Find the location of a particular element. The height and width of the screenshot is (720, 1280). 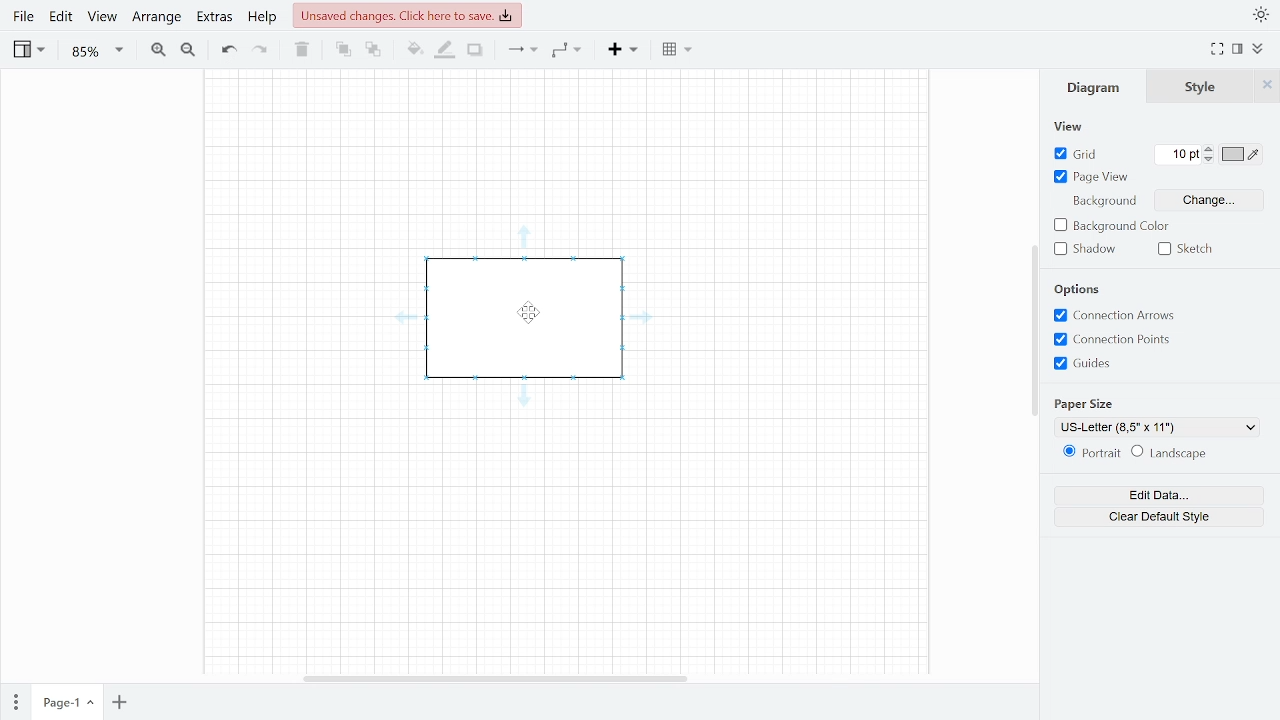

View is located at coordinates (28, 51).